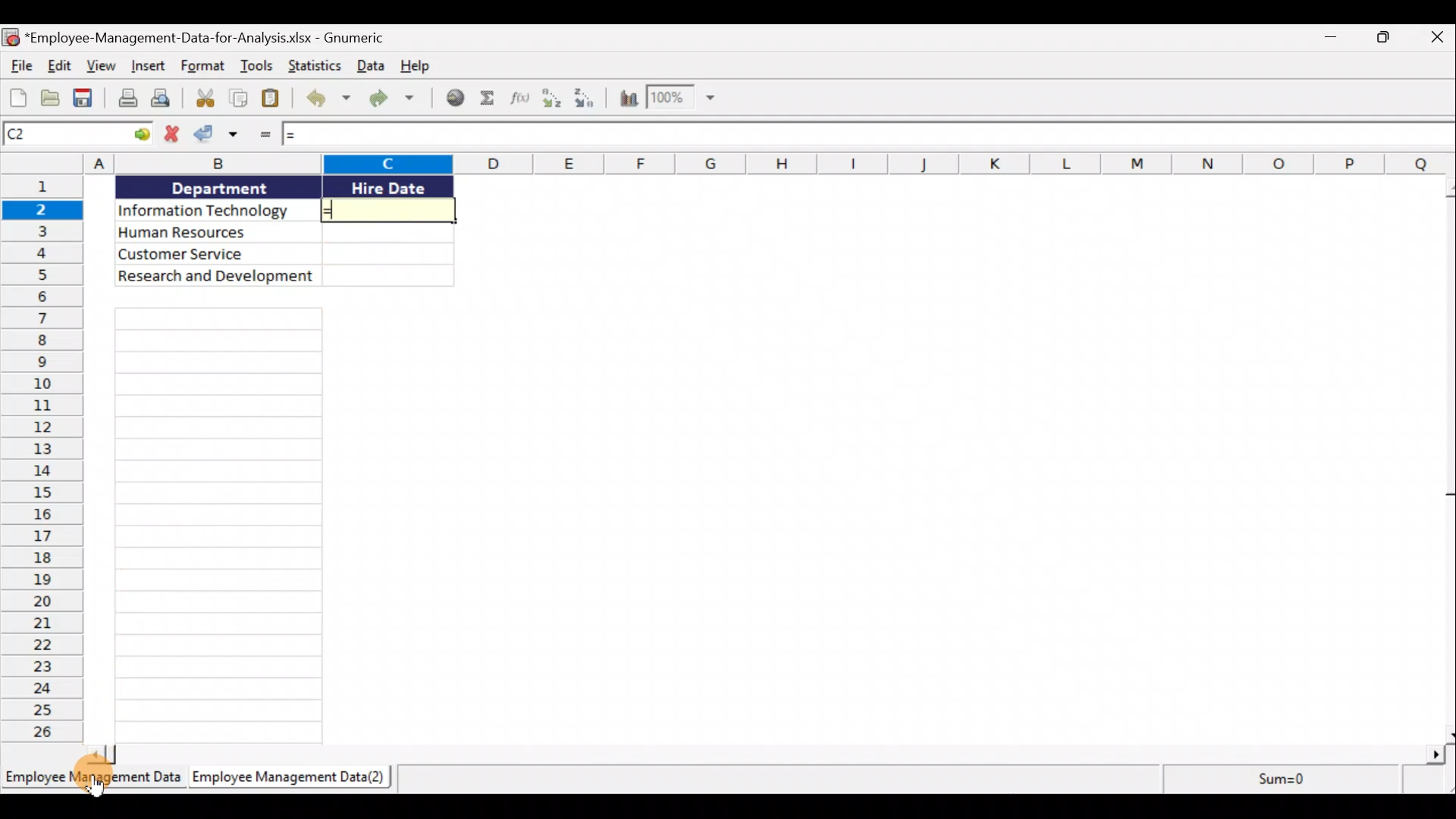 The width and height of the screenshot is (1456, 819). I want to click on Data, so click(281, 231).